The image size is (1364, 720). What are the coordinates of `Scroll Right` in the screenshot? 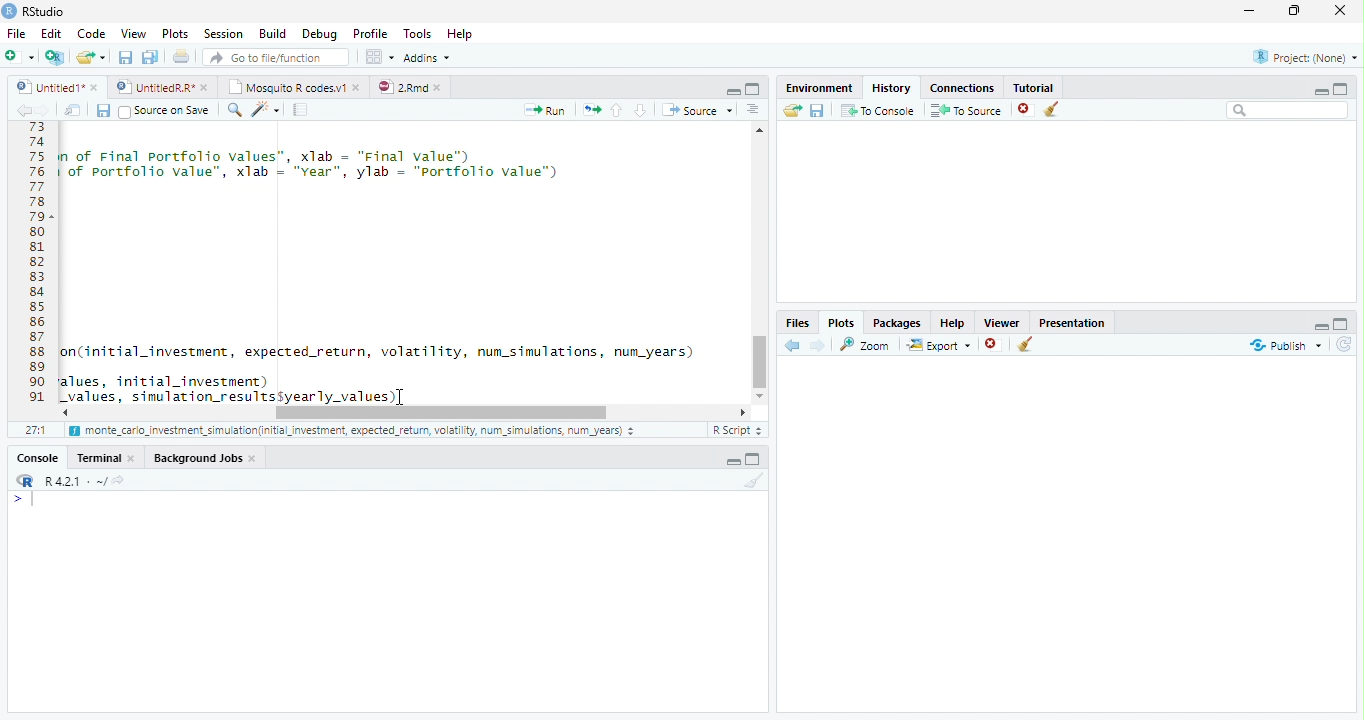 It's located at (743, 411).